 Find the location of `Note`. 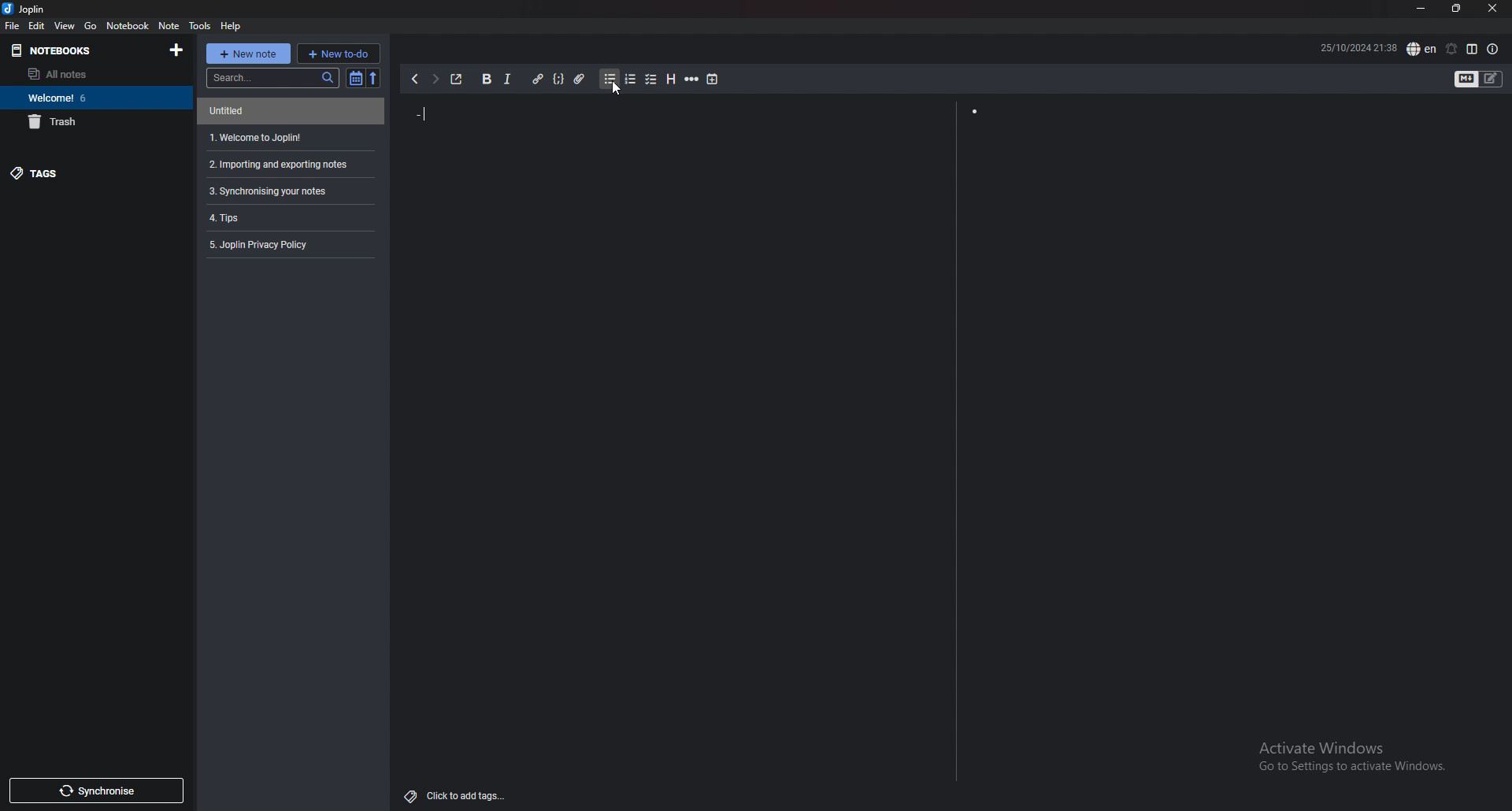

Note is located at coordinates (166, 24).